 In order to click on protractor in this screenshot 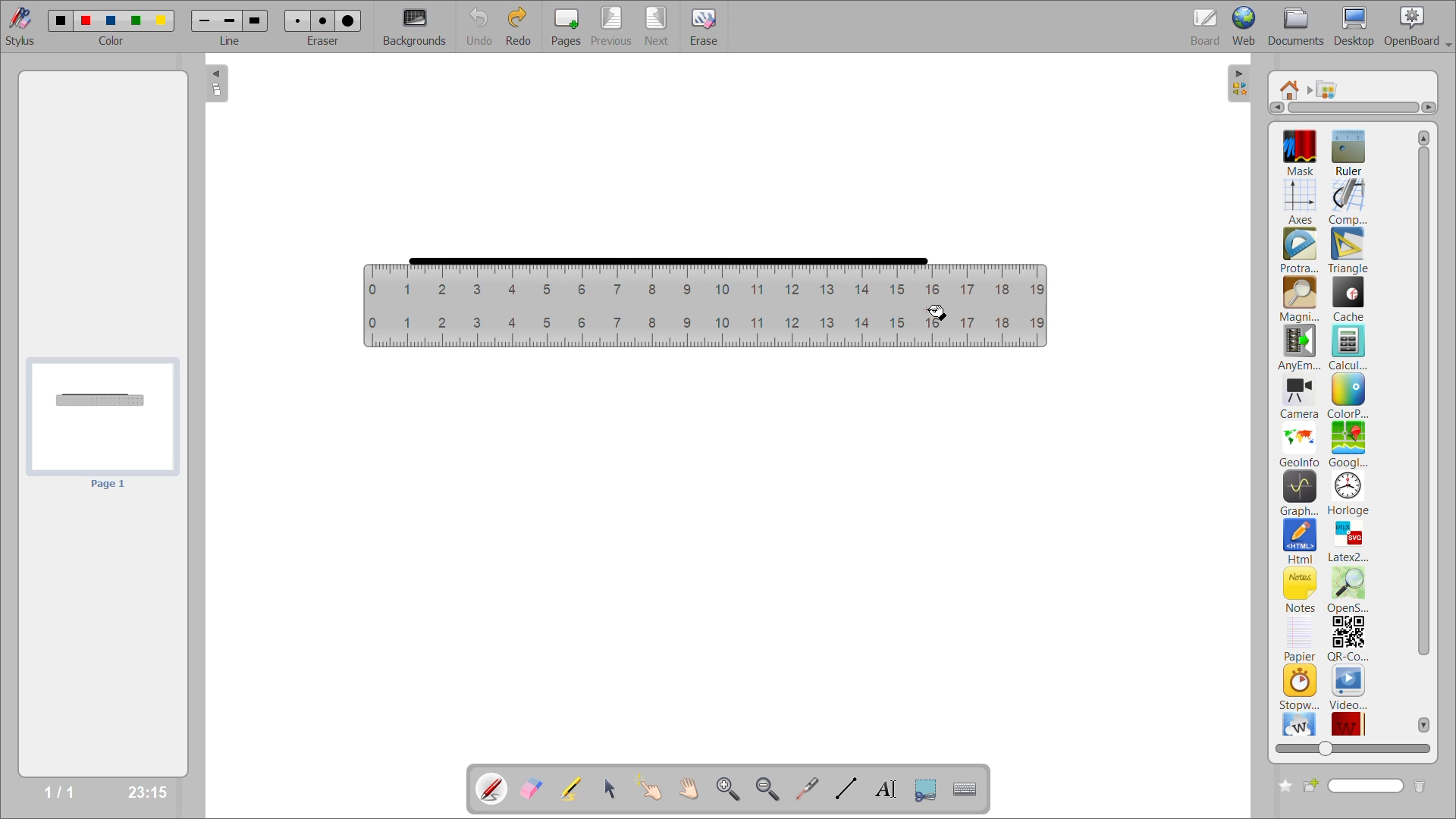, I will do `click(1299, 252)`.